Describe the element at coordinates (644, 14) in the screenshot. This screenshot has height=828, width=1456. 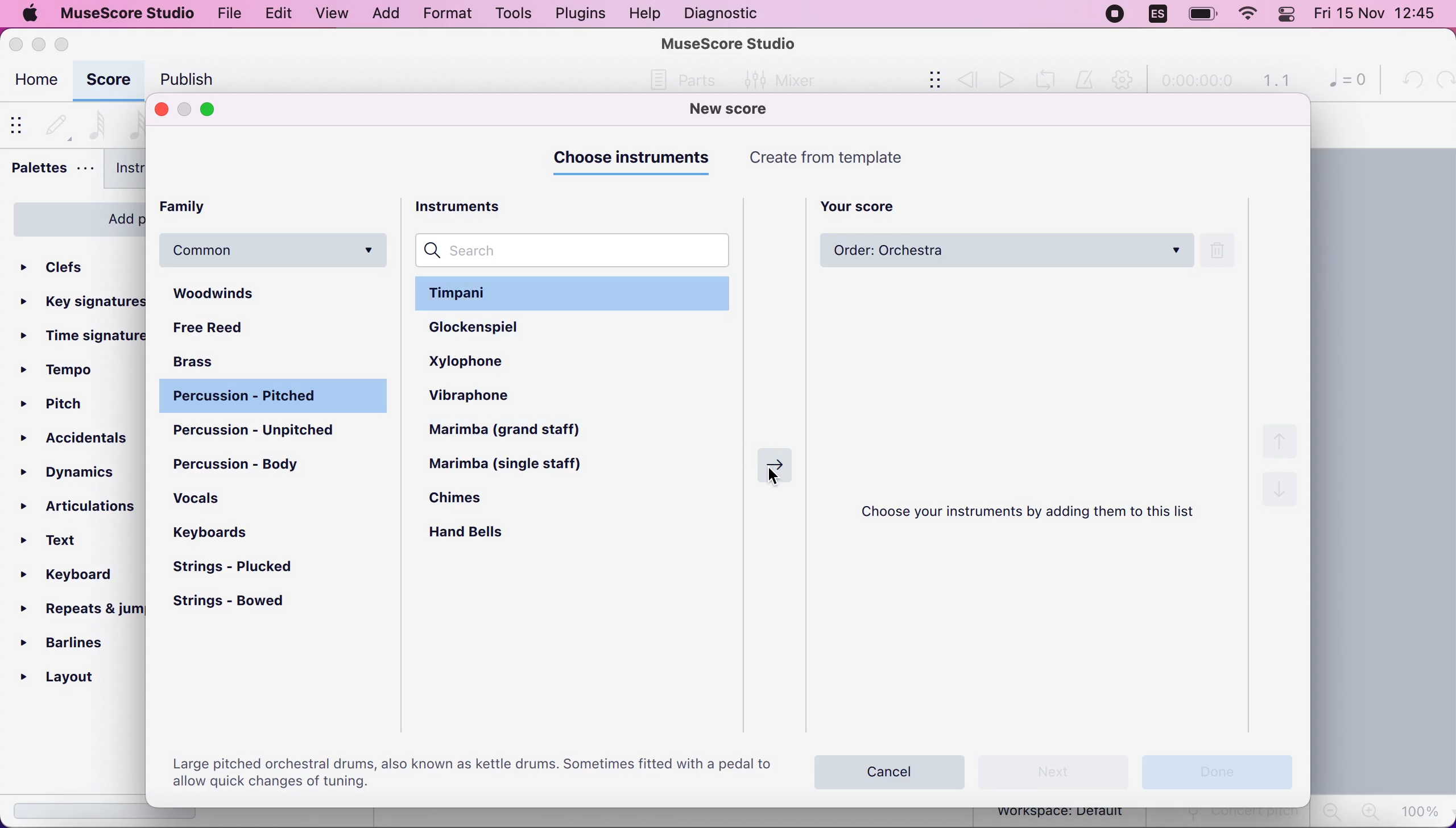
I see `help` at that location.